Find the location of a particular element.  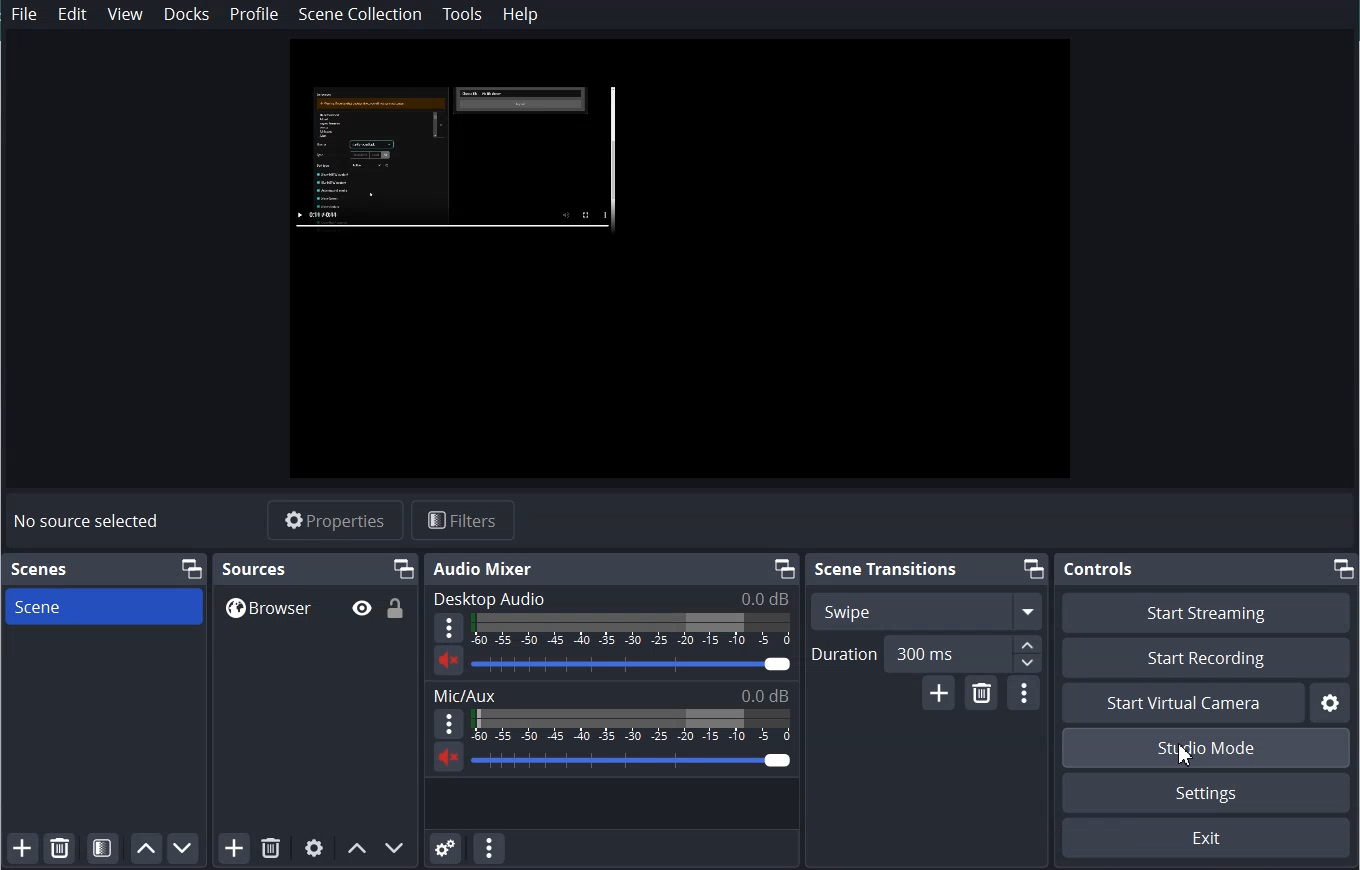

Mic/Aux is located at coordinates (612, 695).